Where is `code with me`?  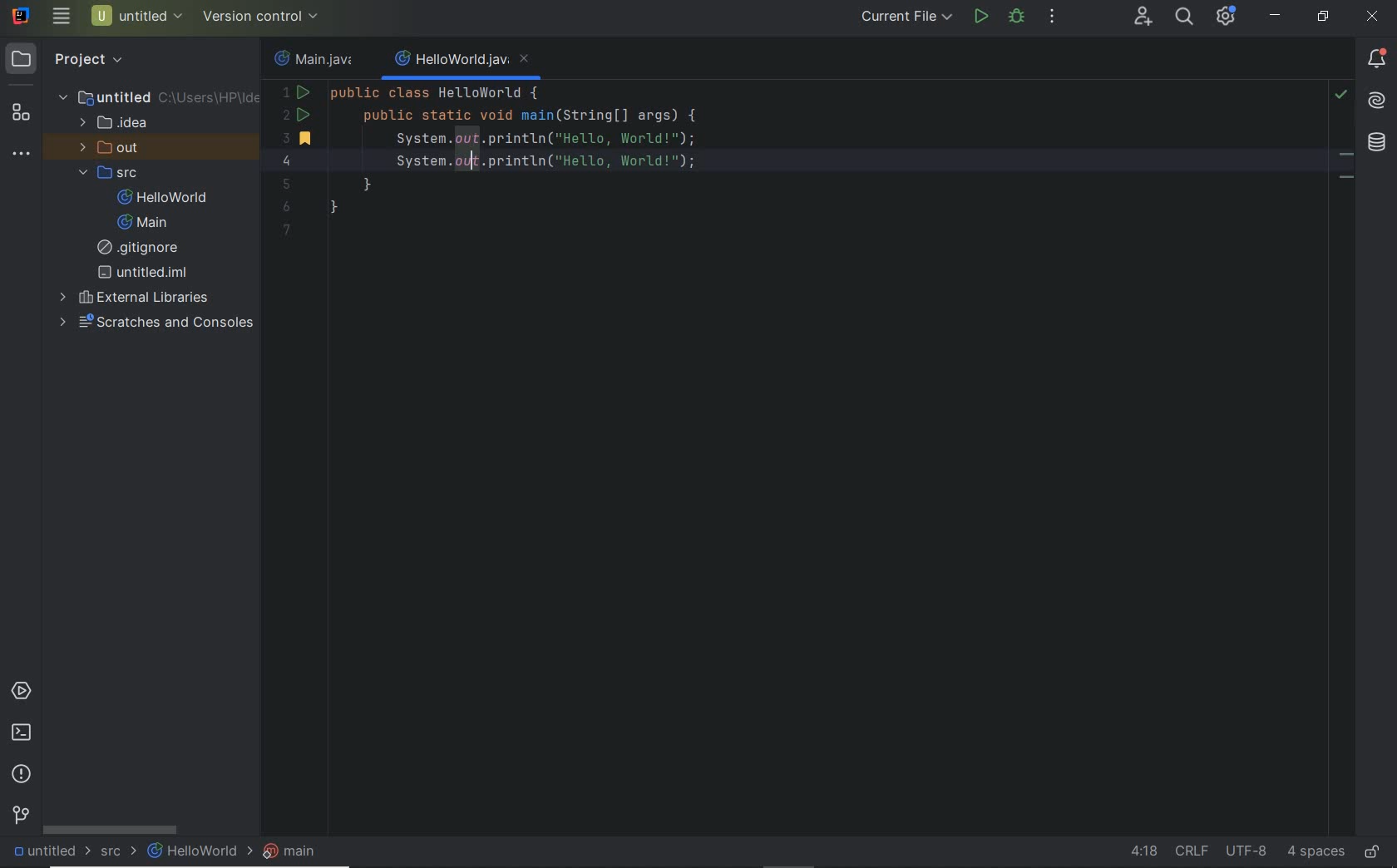 code with me is located at coordinates (1143, 19).